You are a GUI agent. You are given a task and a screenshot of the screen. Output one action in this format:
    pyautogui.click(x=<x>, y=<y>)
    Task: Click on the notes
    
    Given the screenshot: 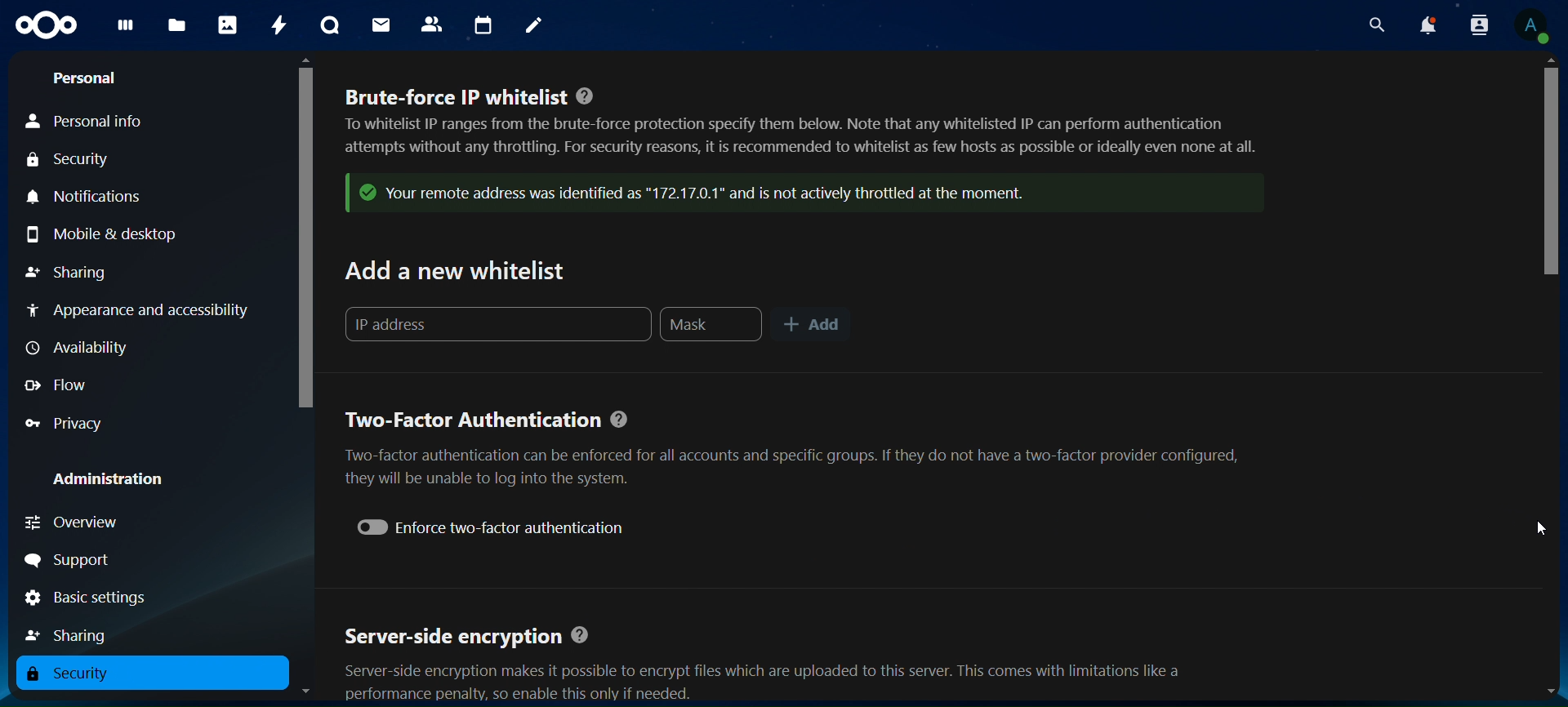 What is the action you would take?
    pyautogui.click(x=529, y=23)
    